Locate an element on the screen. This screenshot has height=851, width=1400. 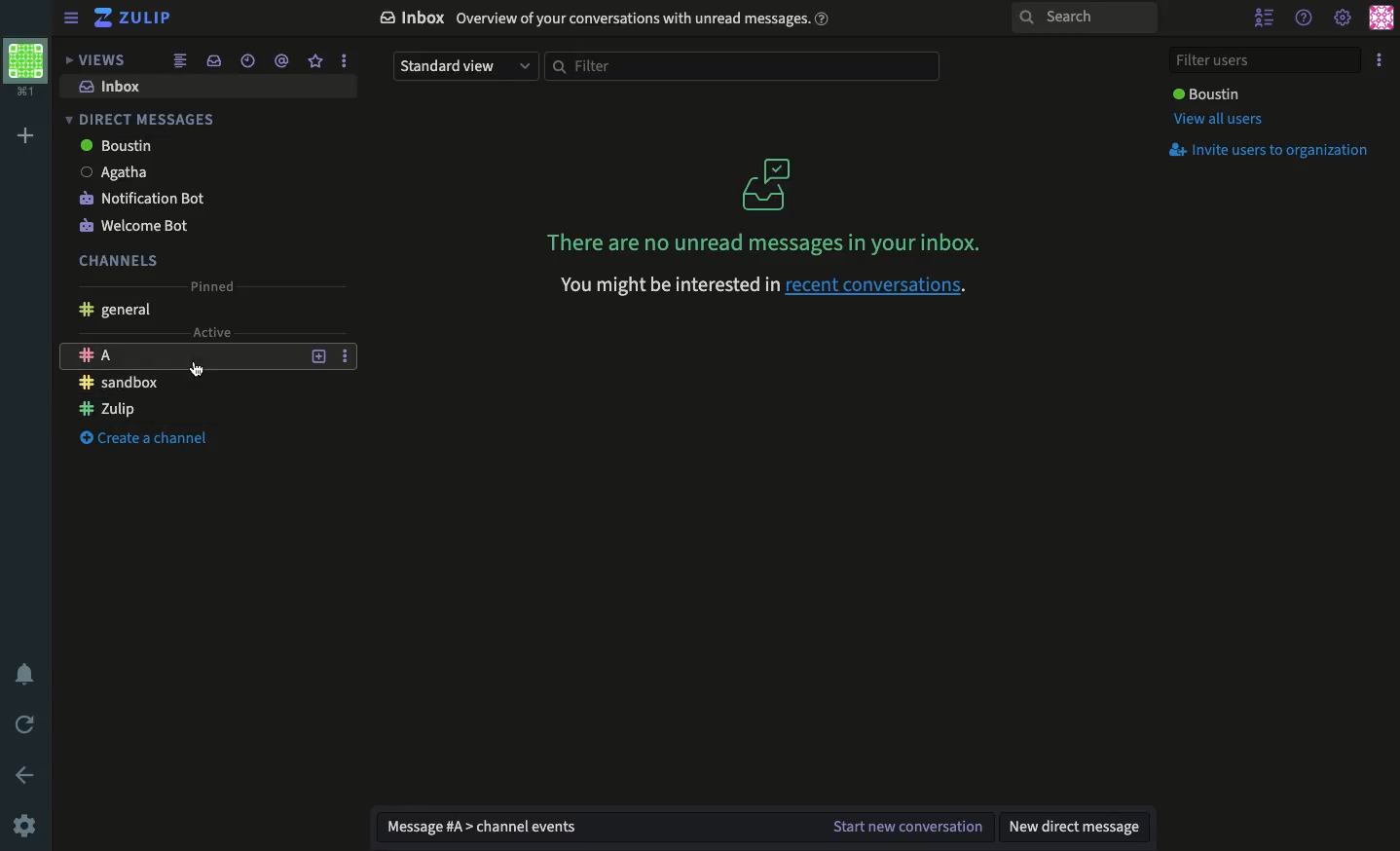
Zulip is located at coordinates (111, 409).